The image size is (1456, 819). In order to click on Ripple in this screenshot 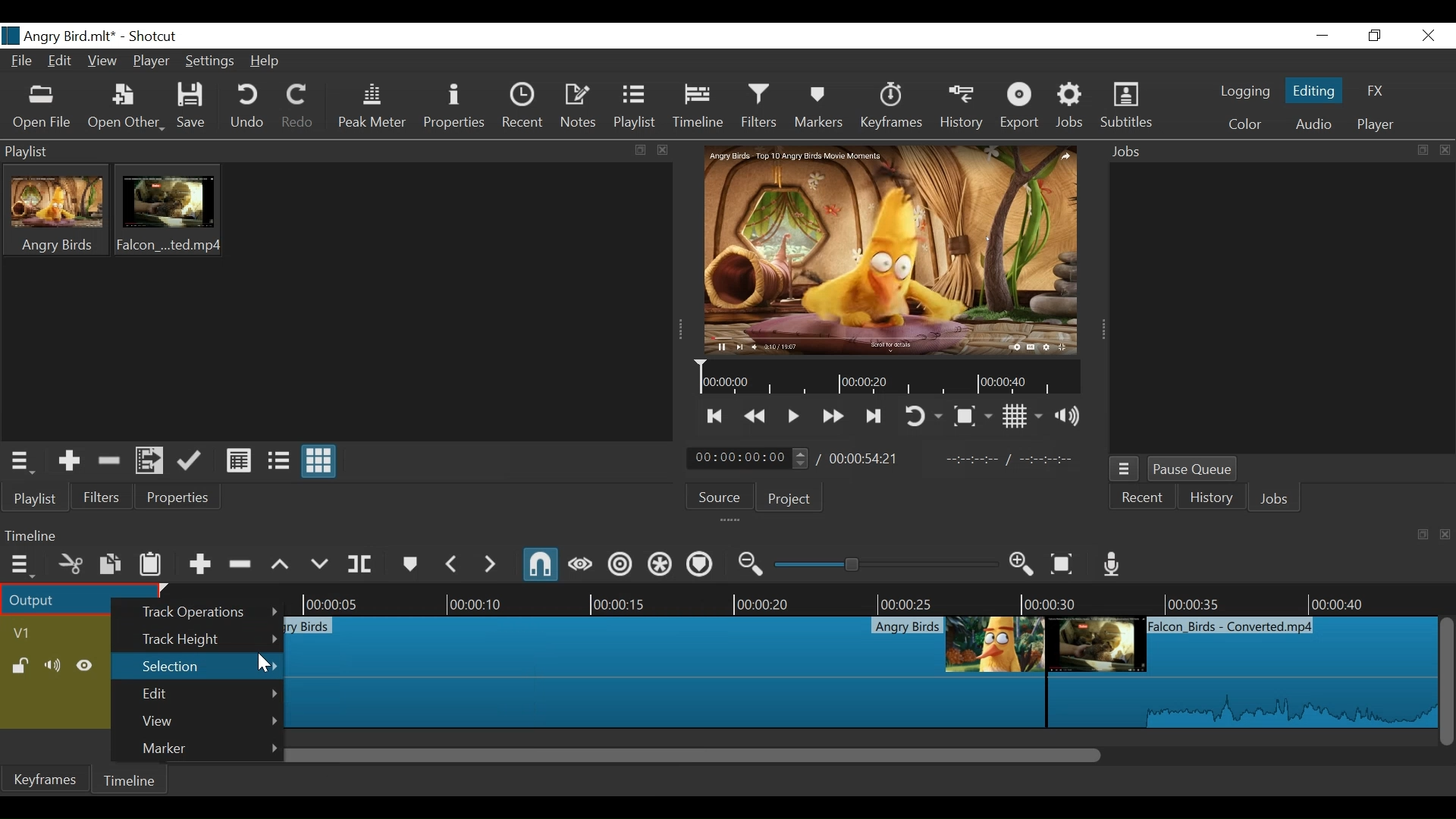, I will do `click(620, 566)`.